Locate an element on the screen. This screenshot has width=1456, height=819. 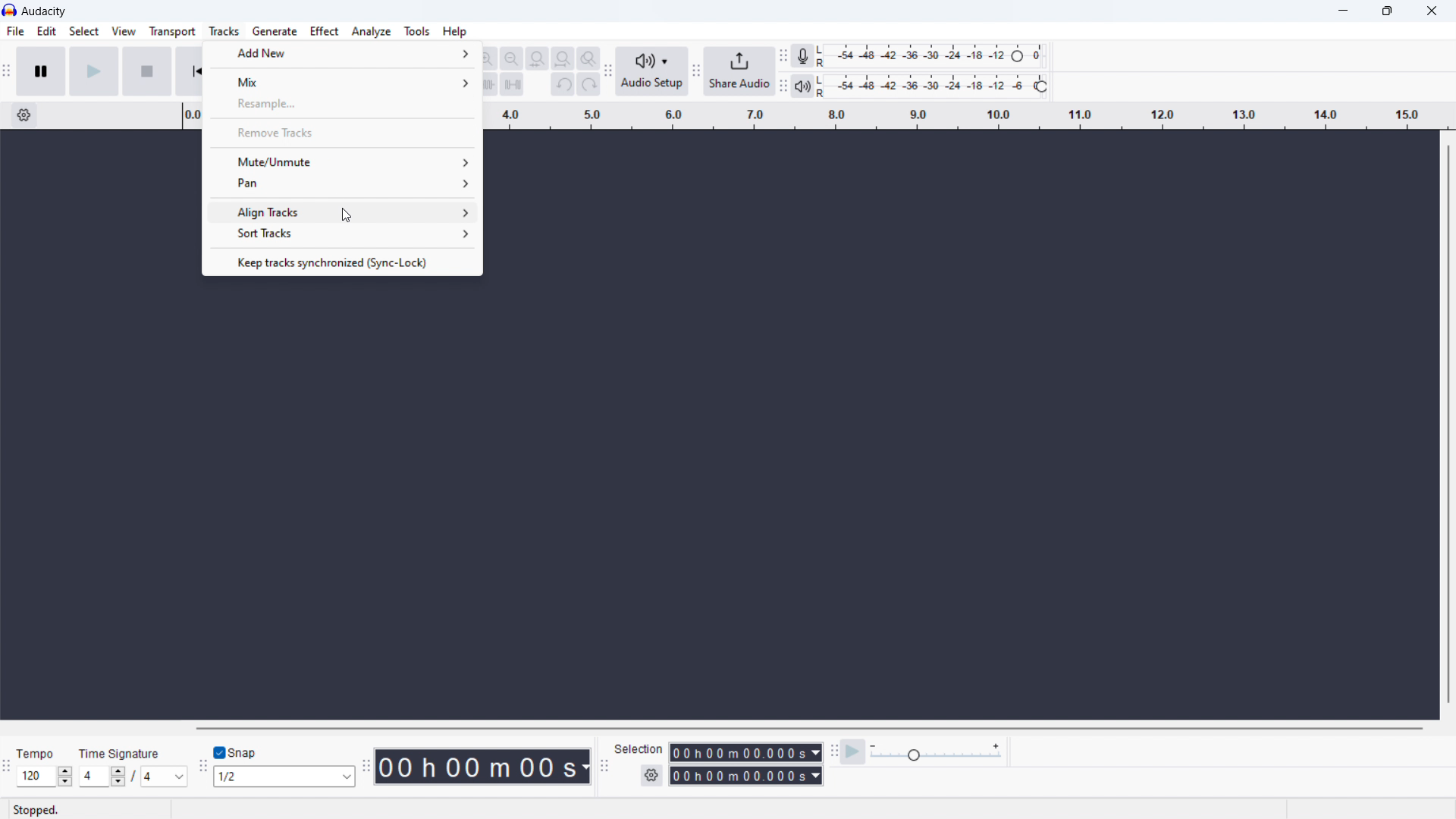
select snapping is located at coordinates (284, 777).